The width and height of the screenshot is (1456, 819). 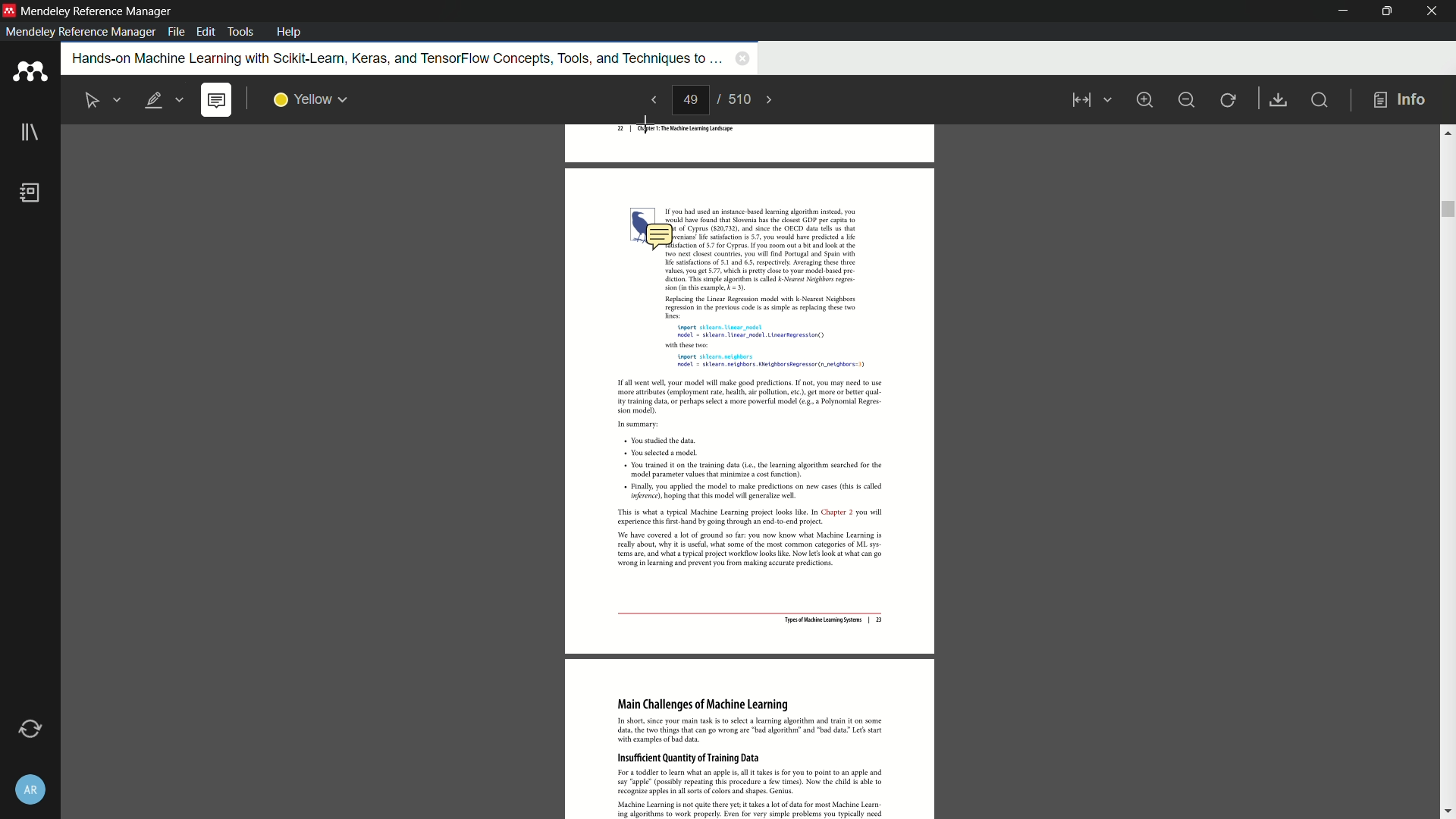 I want to click on app icon, so click(x=29, y=73).